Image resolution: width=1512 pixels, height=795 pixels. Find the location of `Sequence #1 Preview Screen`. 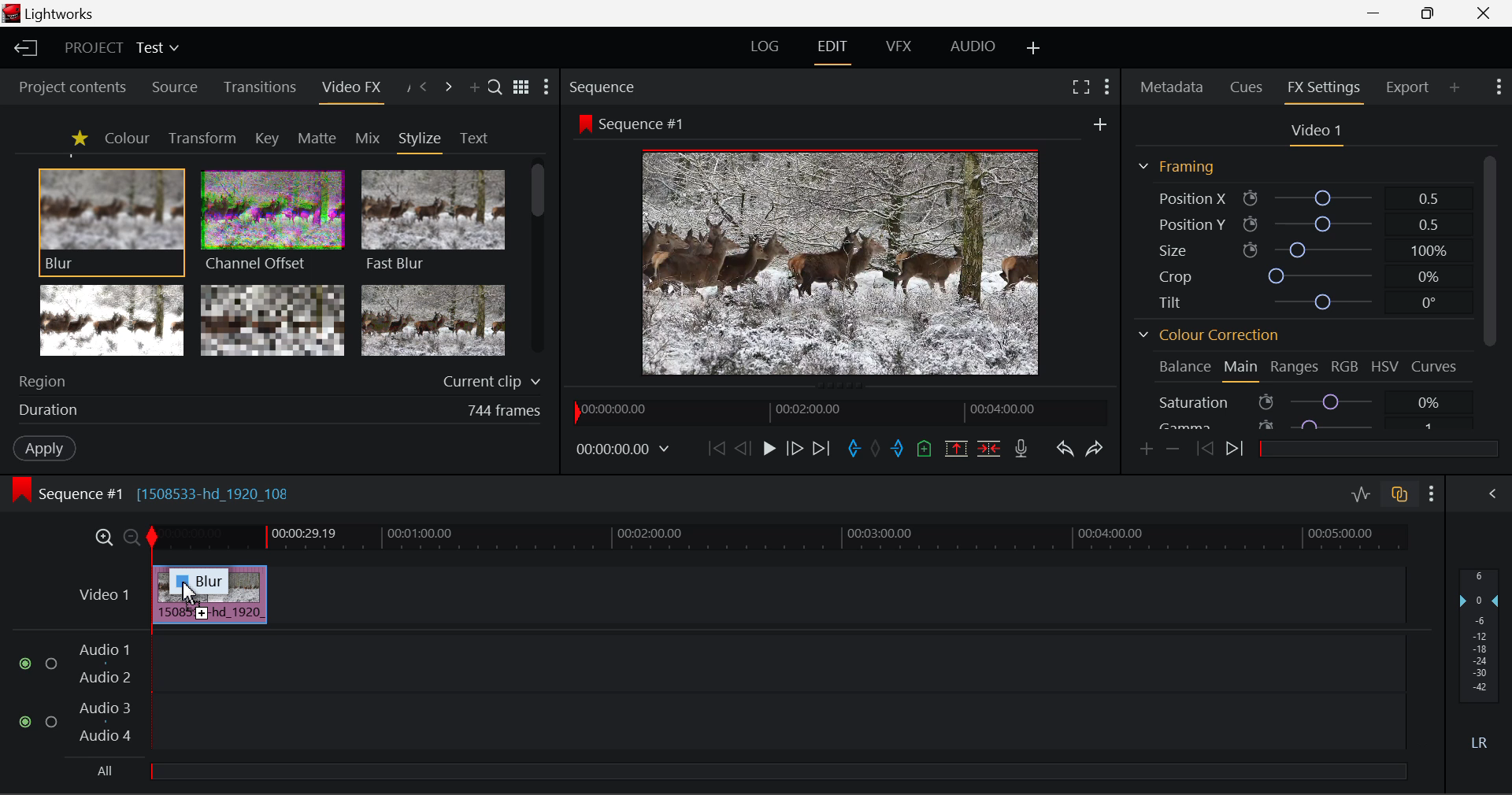

Sequence #1 Preview Screen is located at coordinates (843, 244).